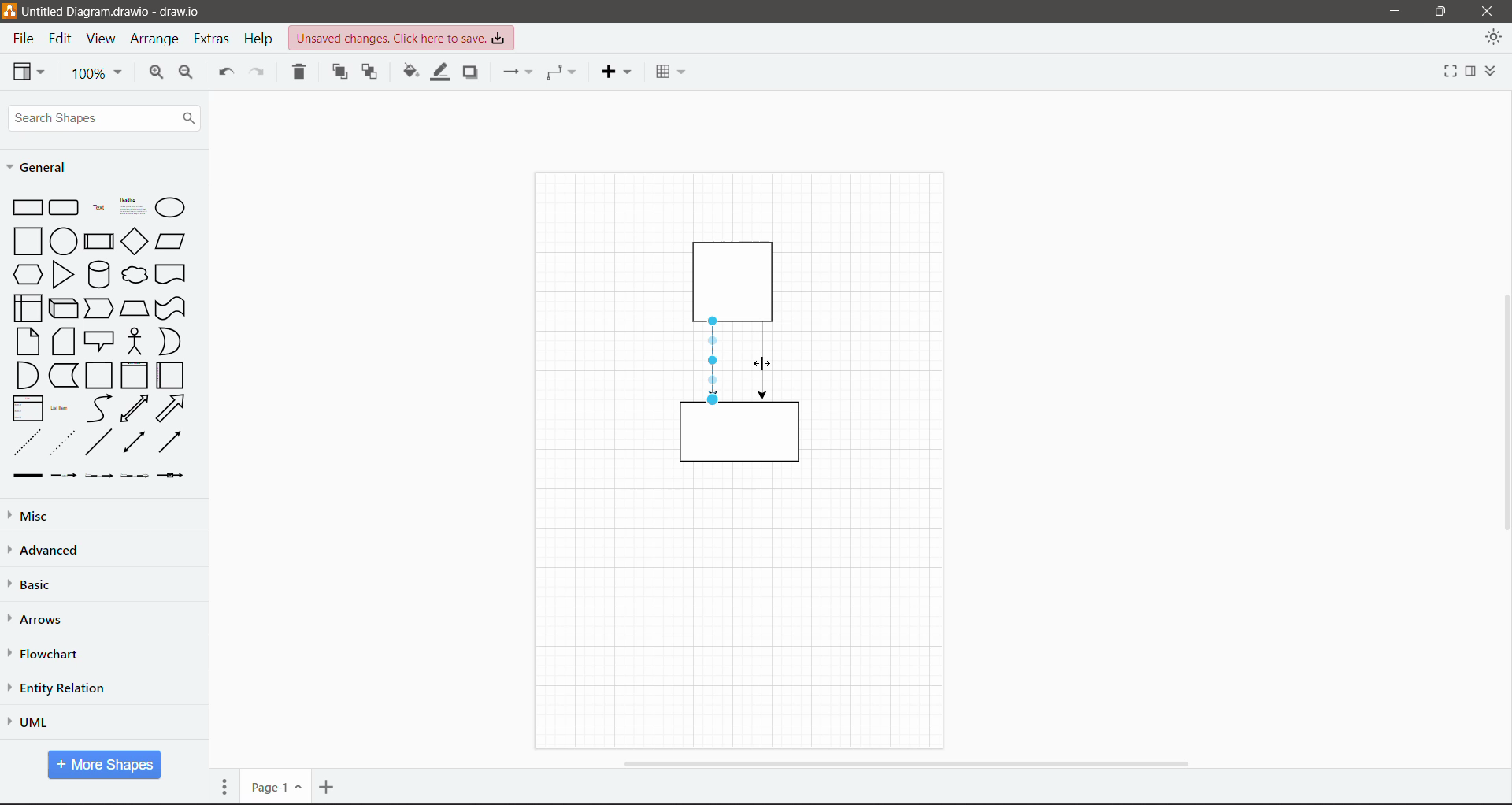 Image resolution: width=1512 pixels, height=805 pixels. Describe the element at coordinates (1440, 73) in the screenshot. I see `Fullscreen` at that location.